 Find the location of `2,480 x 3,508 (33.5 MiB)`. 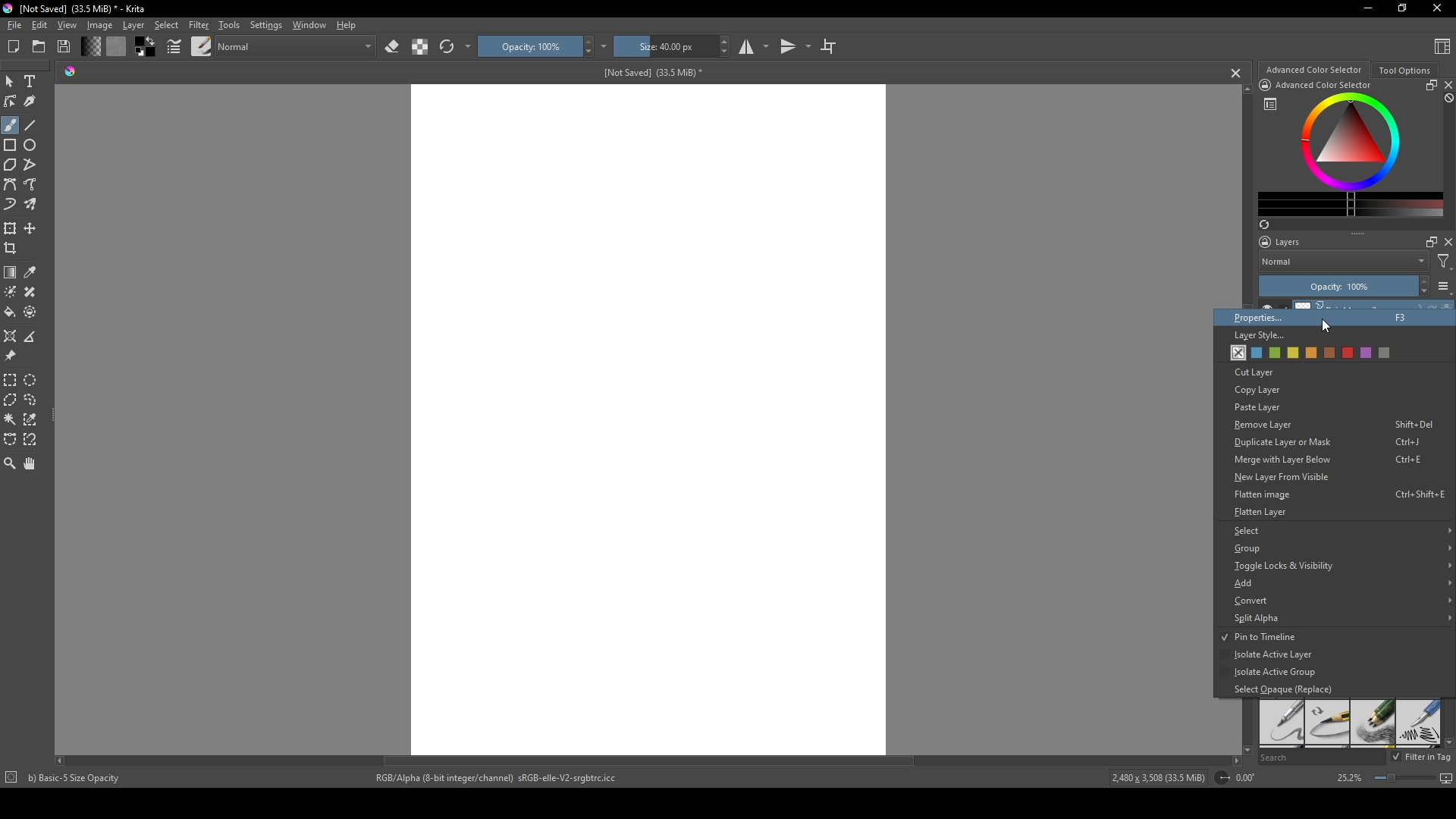

2,480 x 3,508 (33.5 MiB) is located at coordinates (1156, 780).